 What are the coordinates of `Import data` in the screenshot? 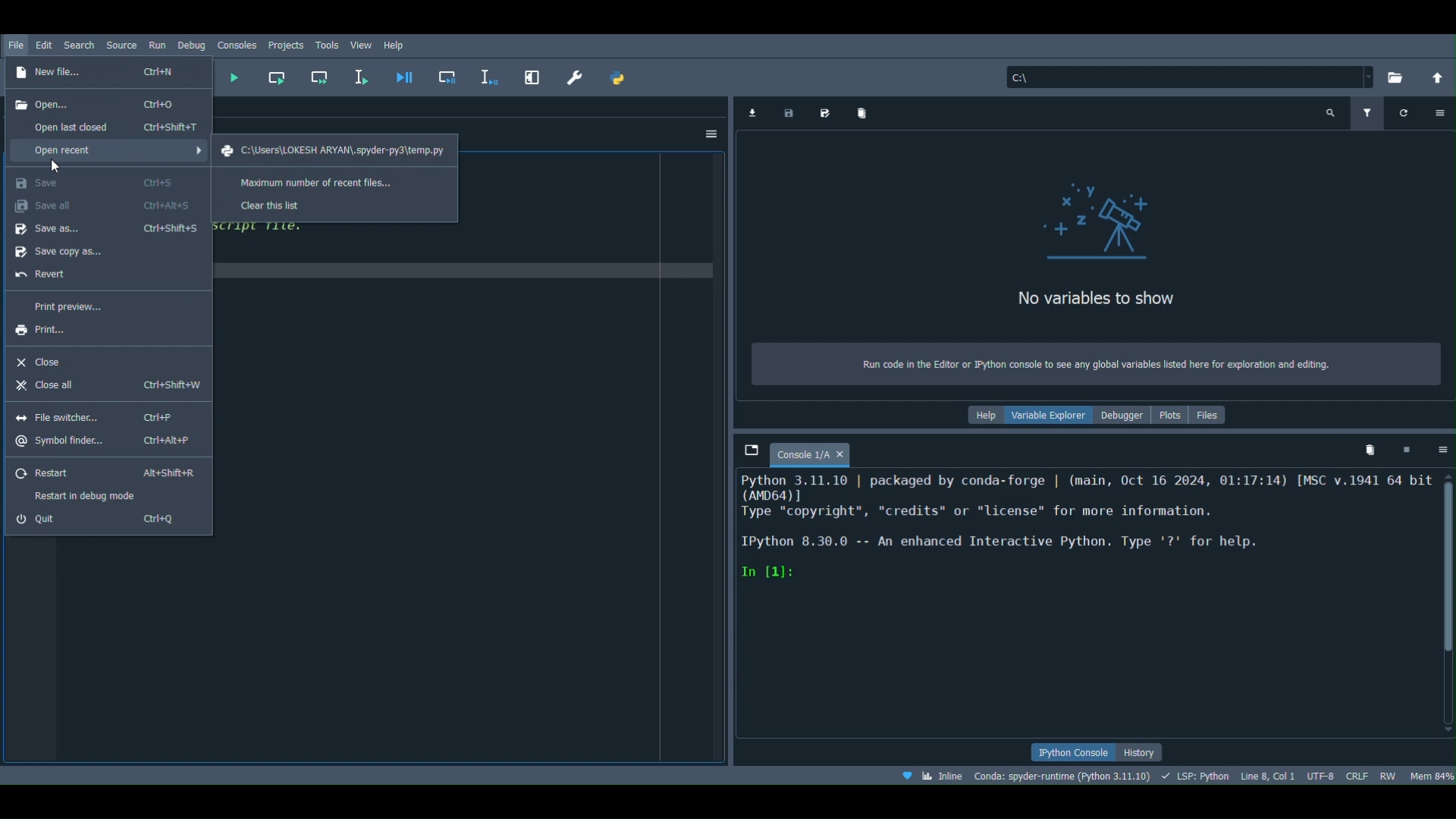 It's located at (752, 111).